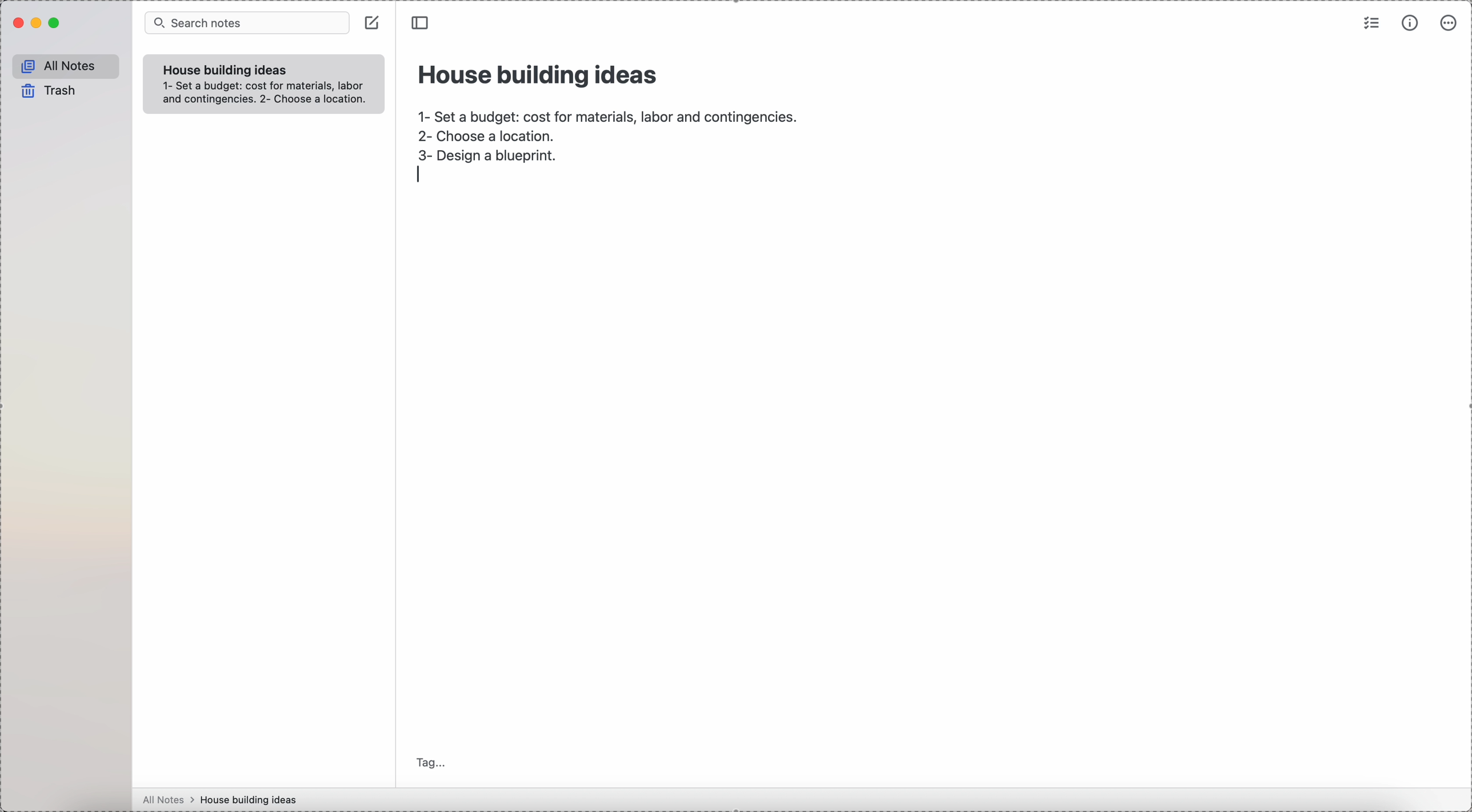  What do you see at coordinates (47, 91) in the screenshot?
I see `trash` at bounding box center [47, 91].